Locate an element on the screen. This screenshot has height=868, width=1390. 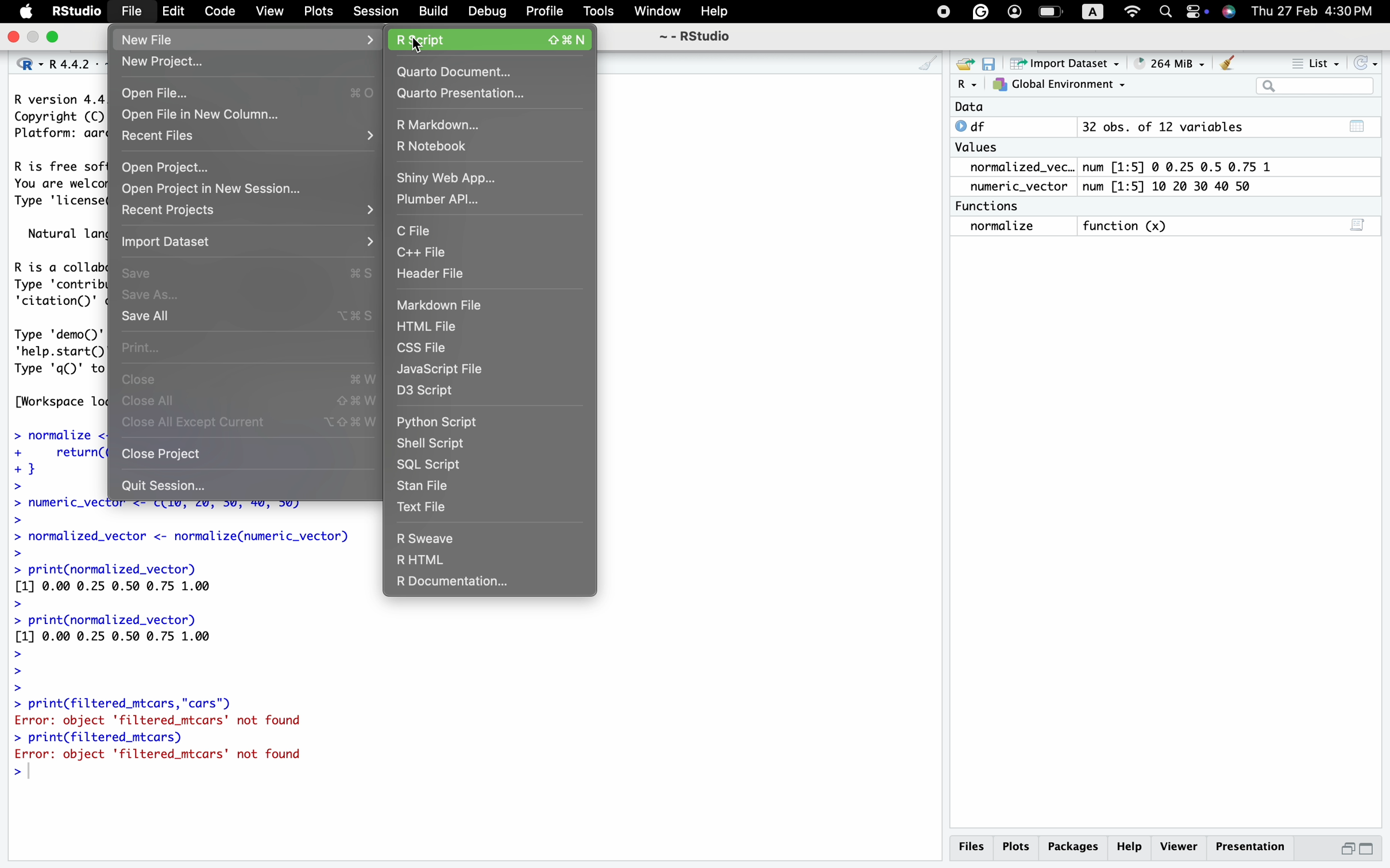
Error: object 'filtered_mtcars' not found is located at coordinates (164, 757).